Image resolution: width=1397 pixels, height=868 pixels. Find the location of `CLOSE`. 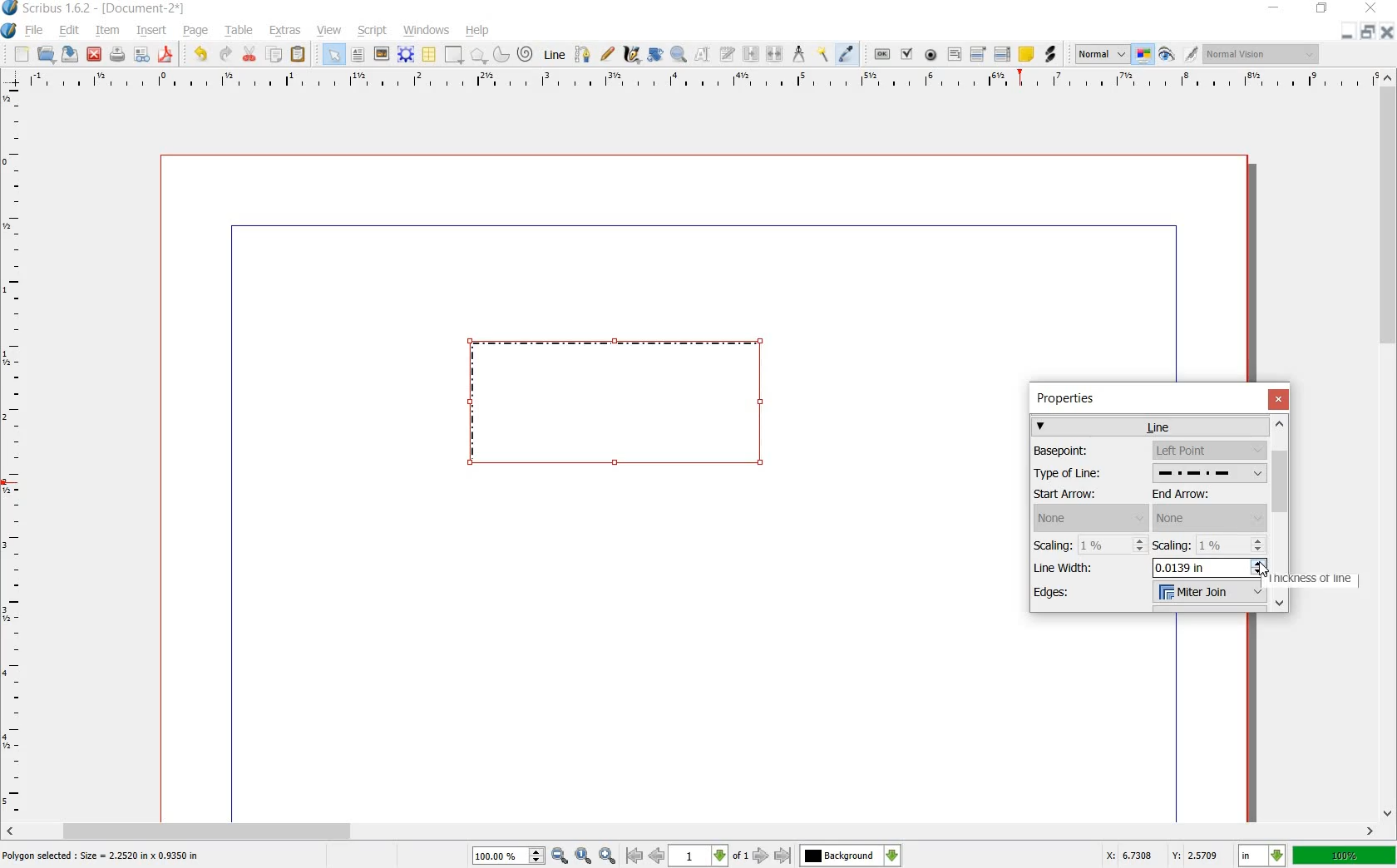

CLOSE is located at coordinates (1389, 32).